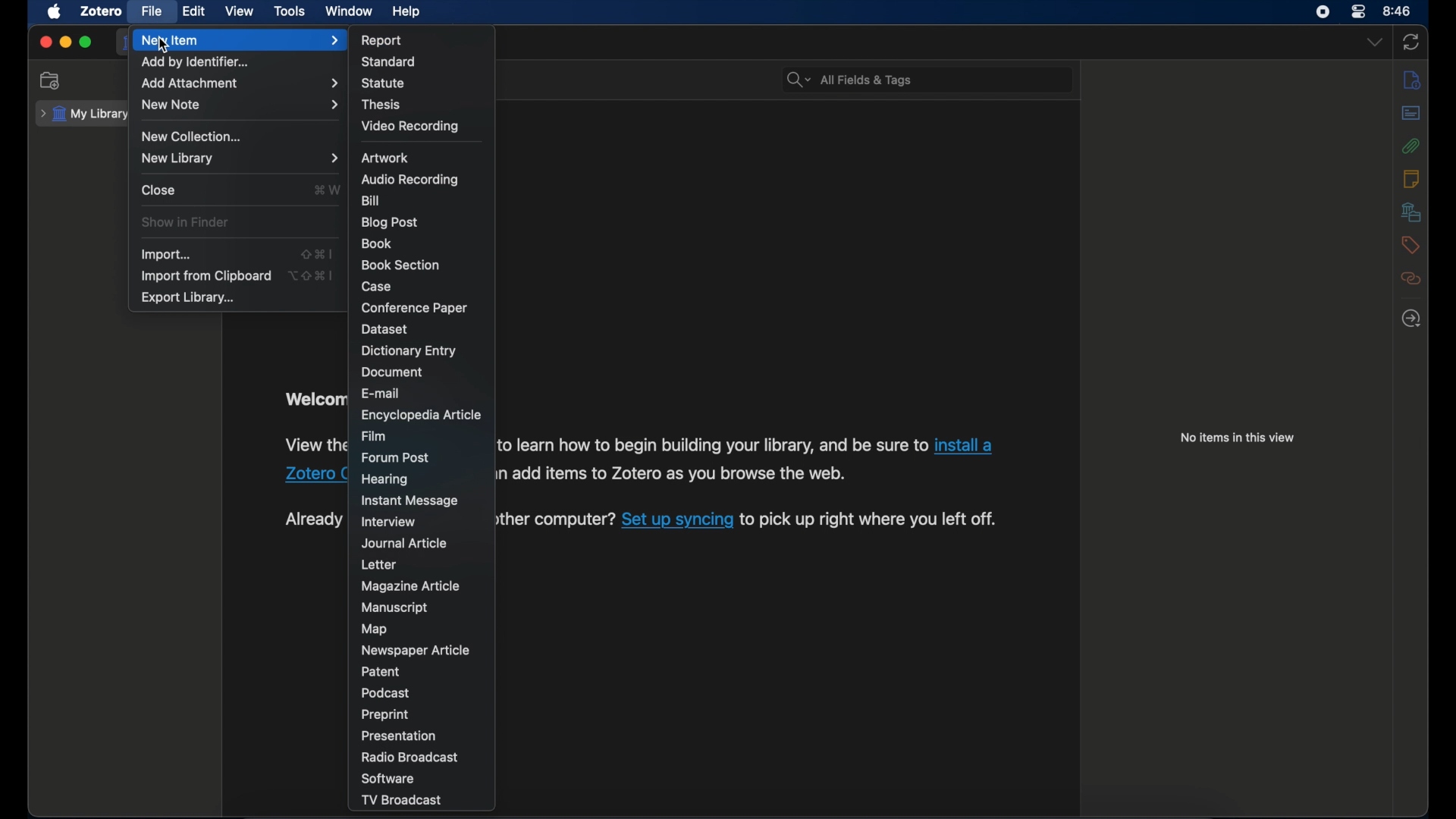  Describe the element at coordinates (1374, 42) in the screenshot. I see `dropdown` at that location.